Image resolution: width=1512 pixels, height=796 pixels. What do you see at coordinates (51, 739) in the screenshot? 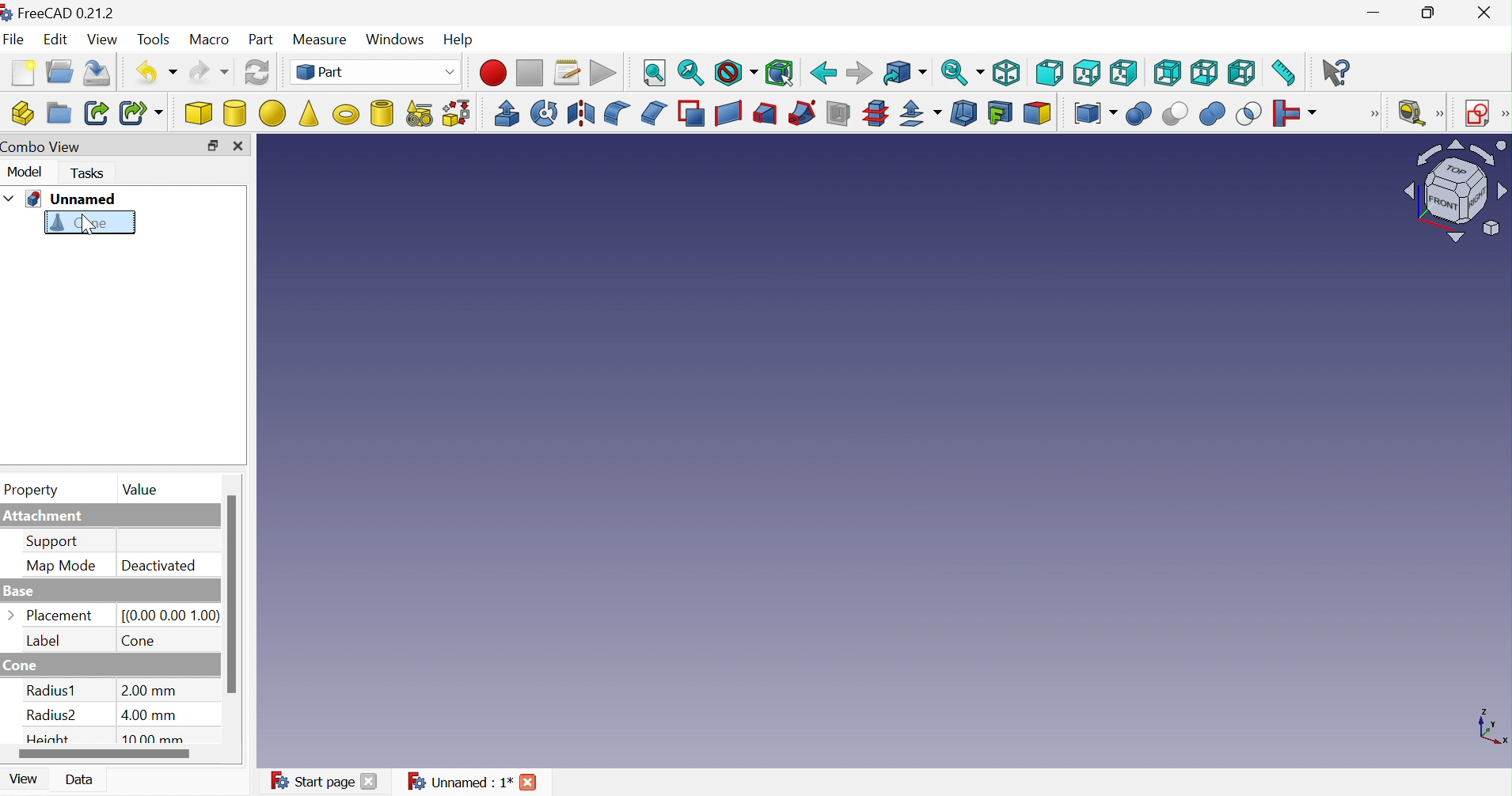
I see `Height` at bounding box center [51, 739].